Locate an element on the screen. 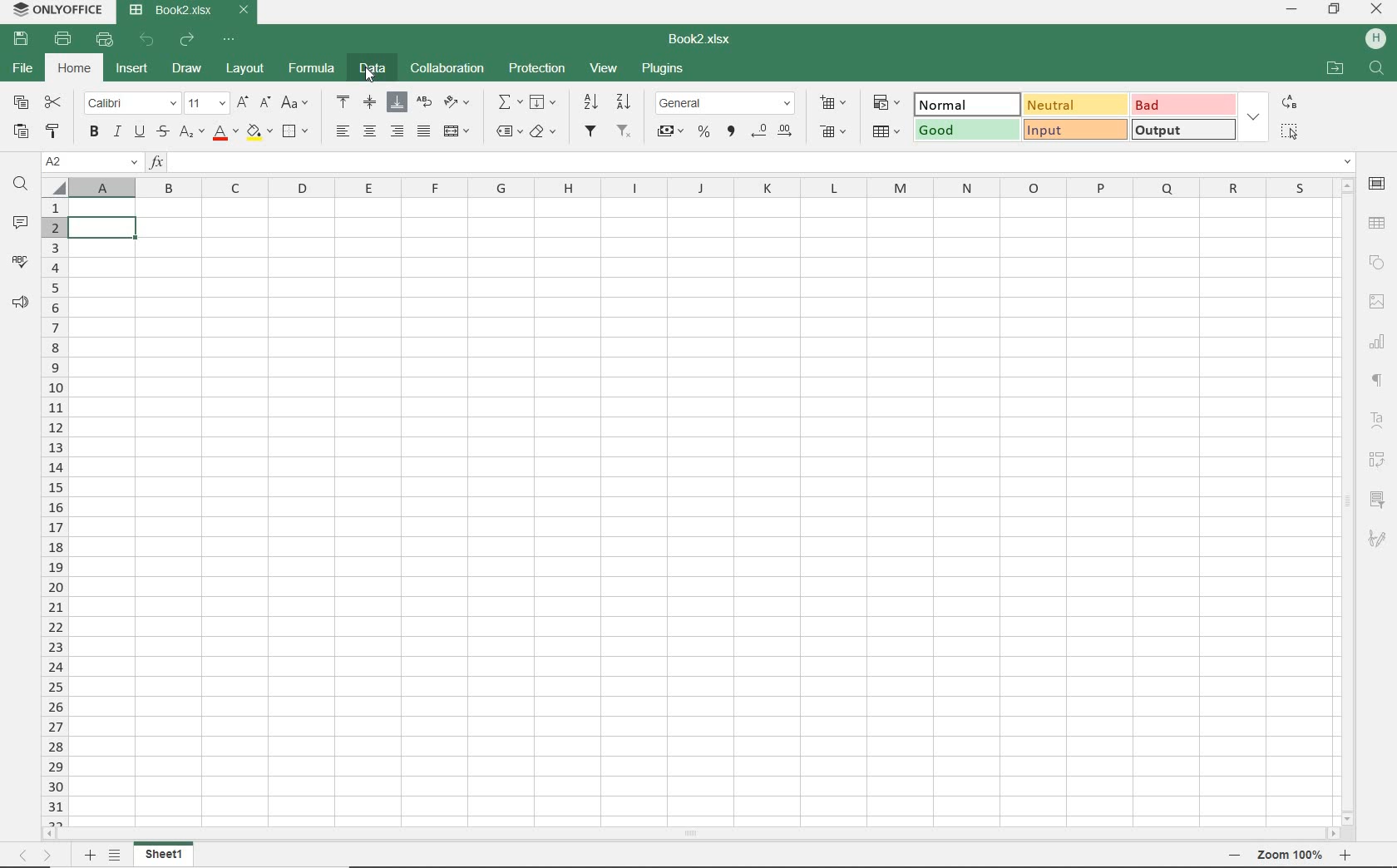  REPLACE is located at coordinates (1291, 101).